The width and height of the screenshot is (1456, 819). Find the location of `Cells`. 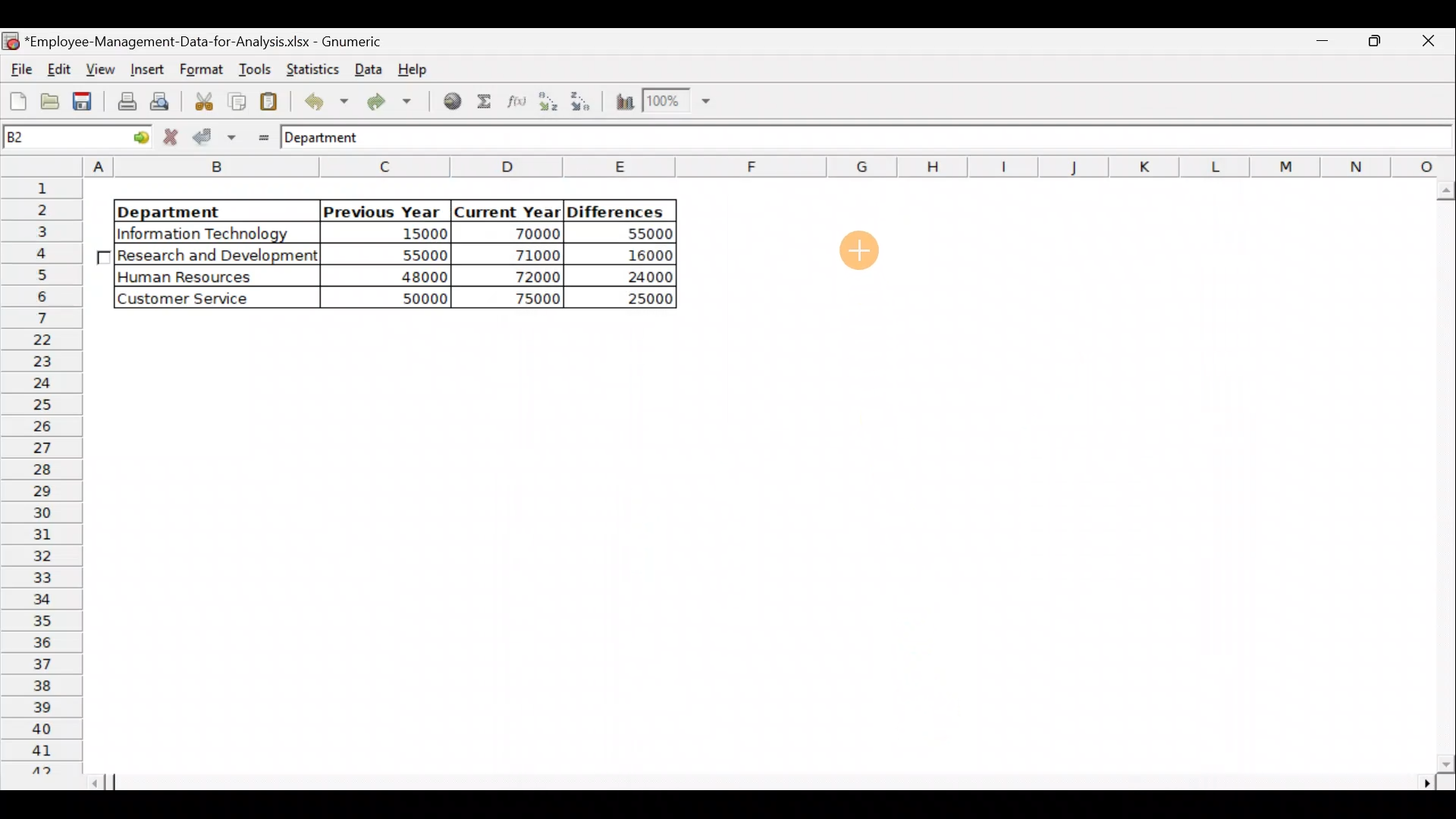

Cells is located at coordinates (757, 547).